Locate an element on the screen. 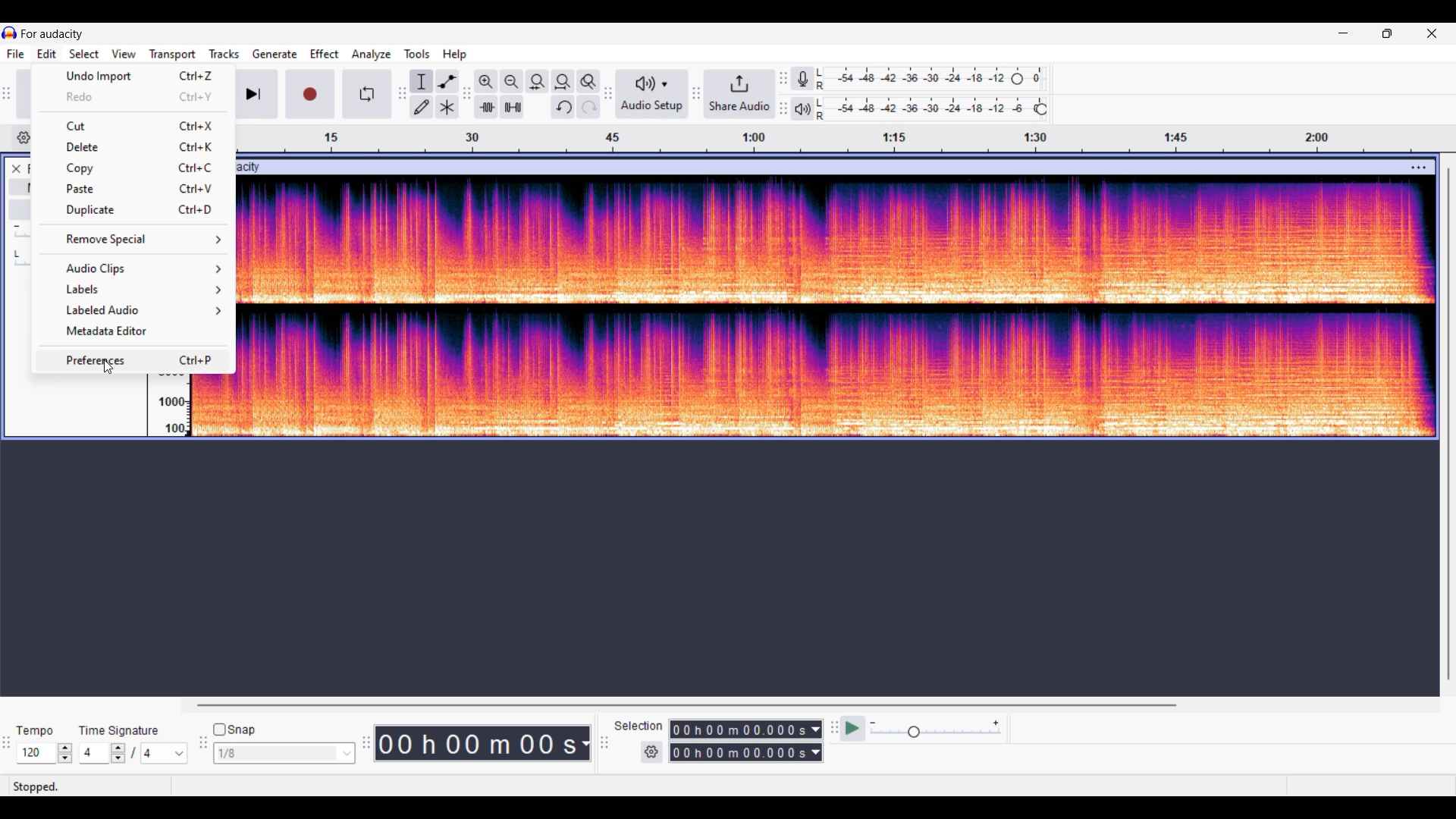 The image size is (1456, 819). Status bar information is located at coordinates (224, 786).